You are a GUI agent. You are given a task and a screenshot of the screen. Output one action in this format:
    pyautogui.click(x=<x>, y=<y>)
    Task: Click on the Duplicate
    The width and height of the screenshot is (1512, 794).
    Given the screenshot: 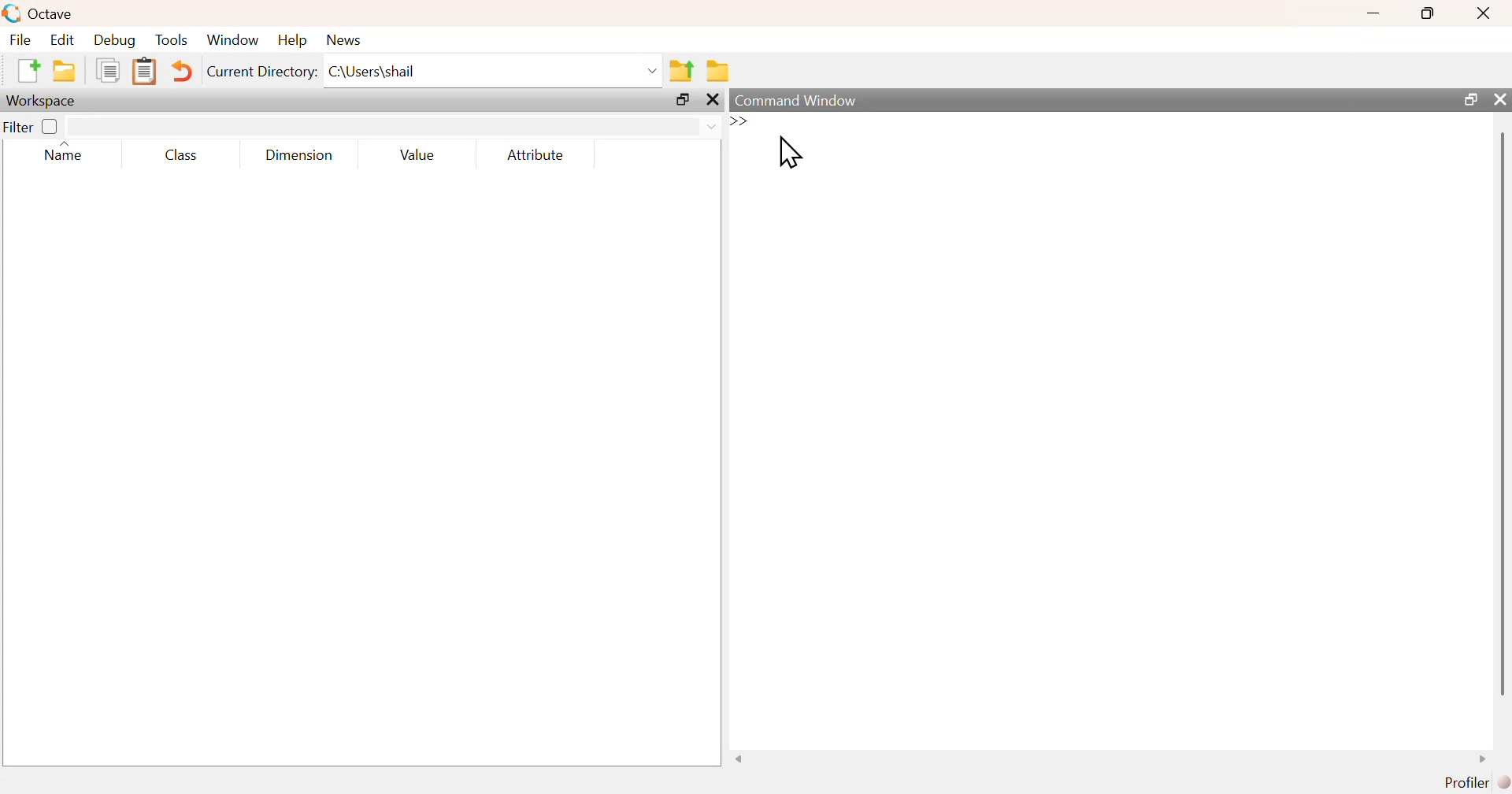 What is the action you would take?
    pyautogui.click(x=109, y=70)
    